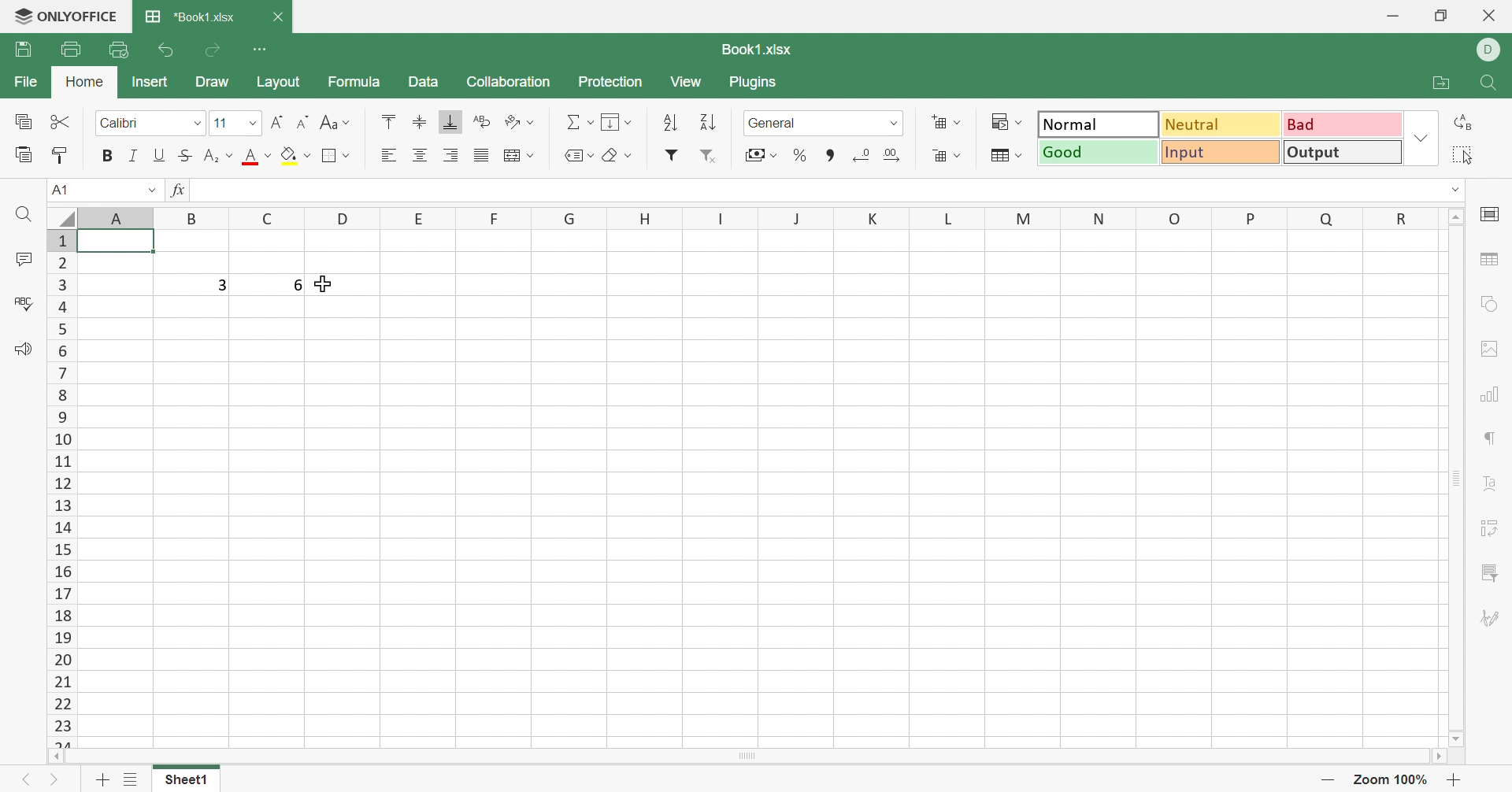  Describe the element at coordinates (256, 156) in the screenshot. I see `Font color` at that location.